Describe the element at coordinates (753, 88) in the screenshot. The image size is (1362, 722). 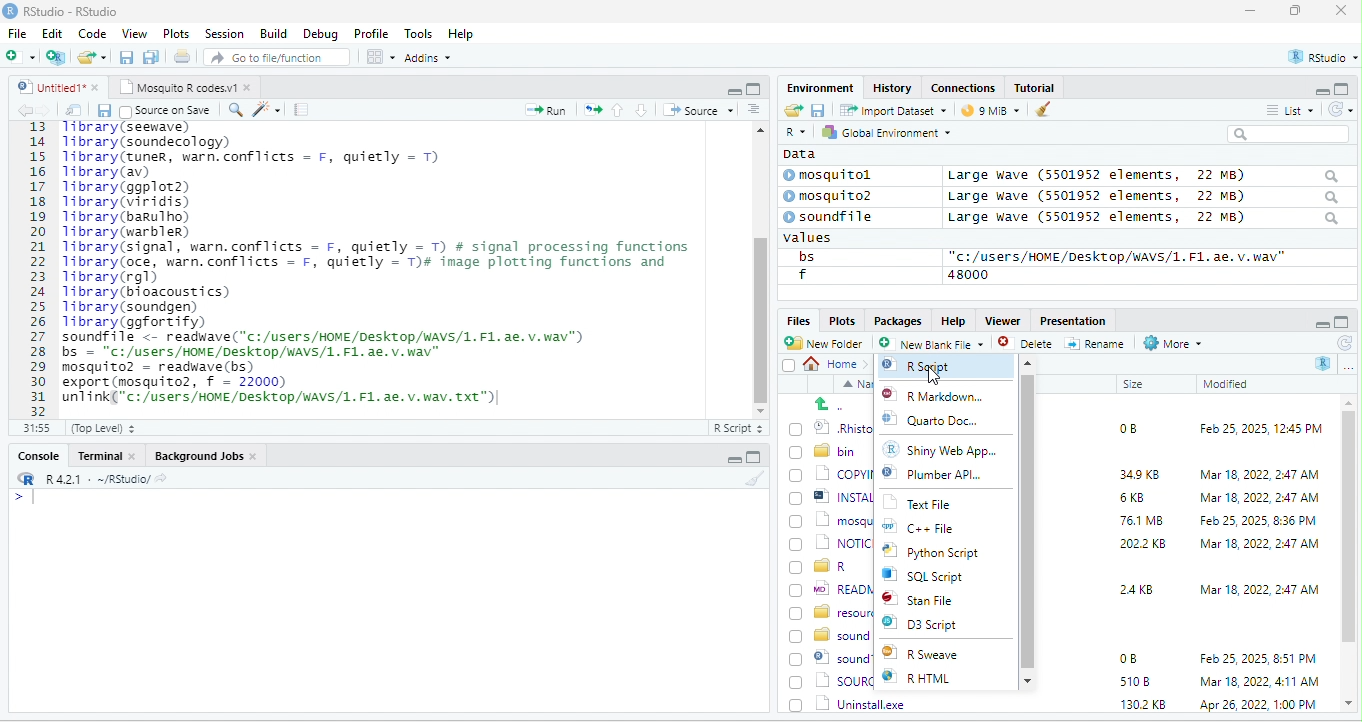
I see `maximize` at that location.